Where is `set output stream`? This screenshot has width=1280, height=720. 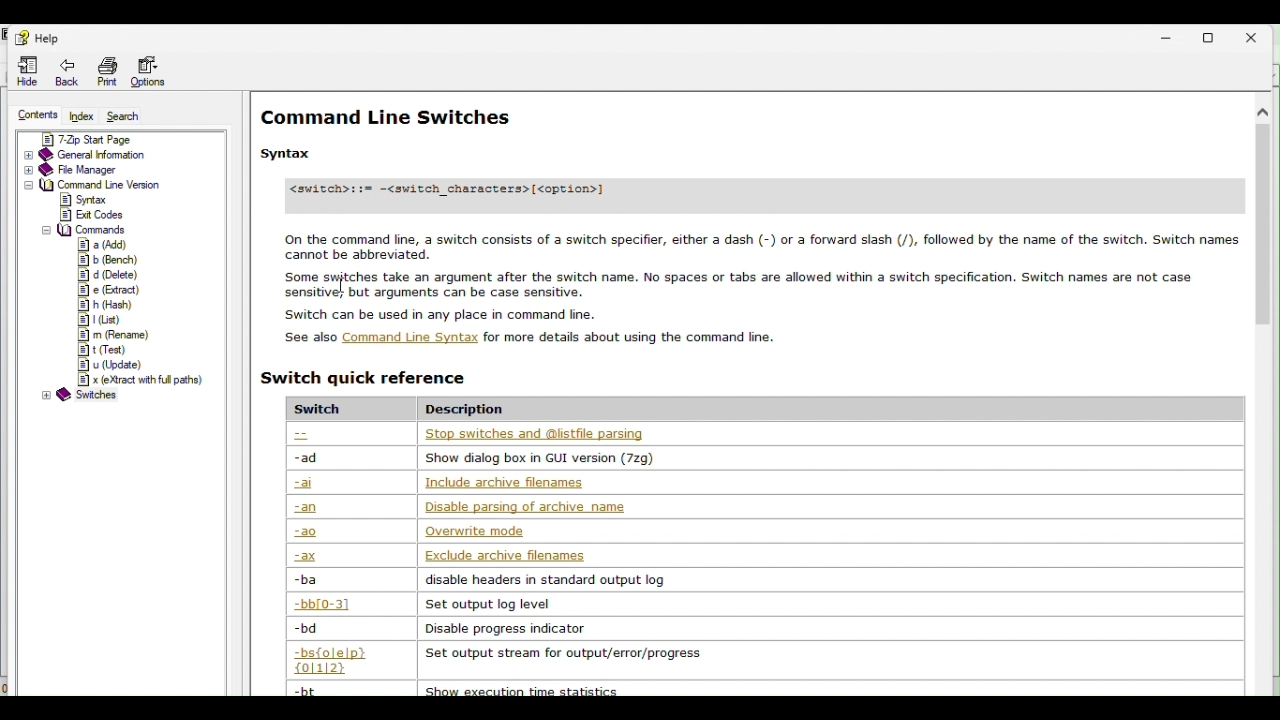 set output stream is located at coordinates (570, 652).